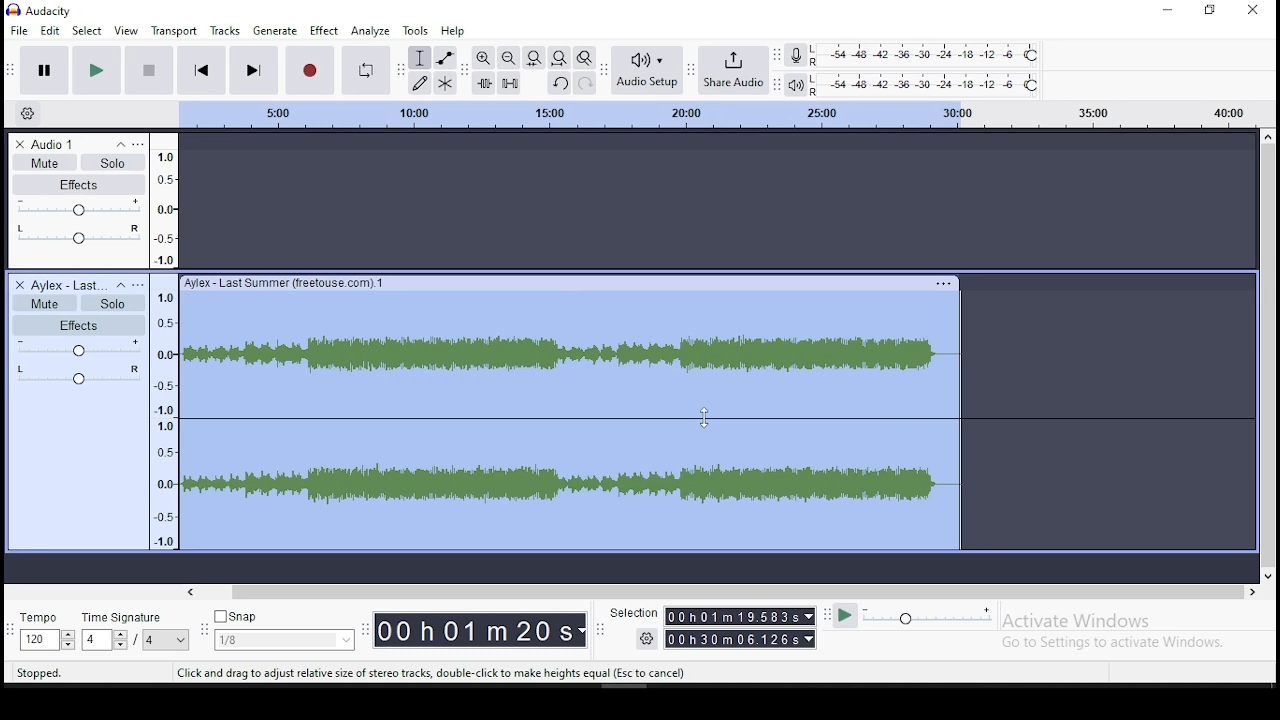  I want to click on recording level, so click(927, 55).